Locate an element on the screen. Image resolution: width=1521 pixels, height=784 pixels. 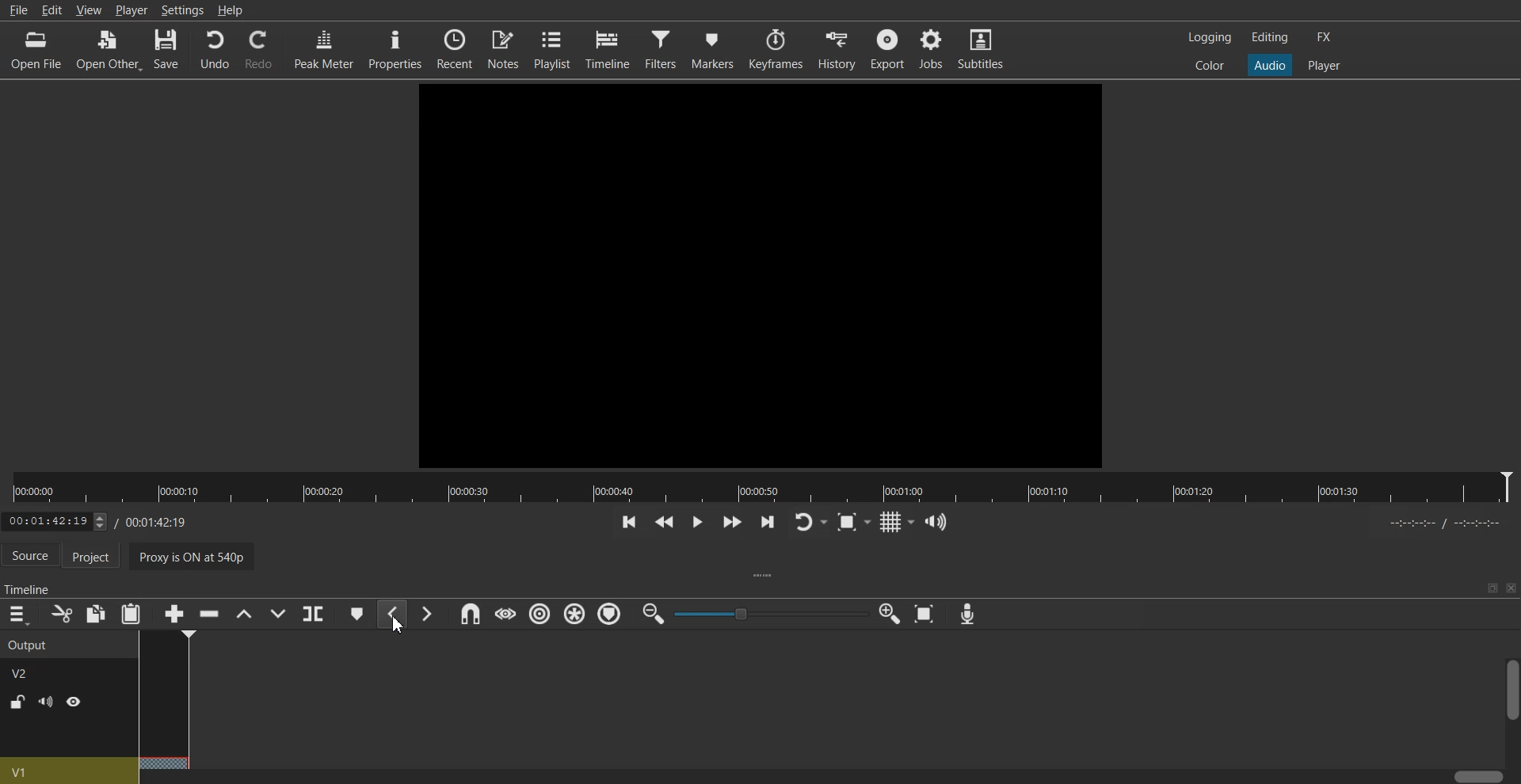
V1 is located at coordinates (67, 770).